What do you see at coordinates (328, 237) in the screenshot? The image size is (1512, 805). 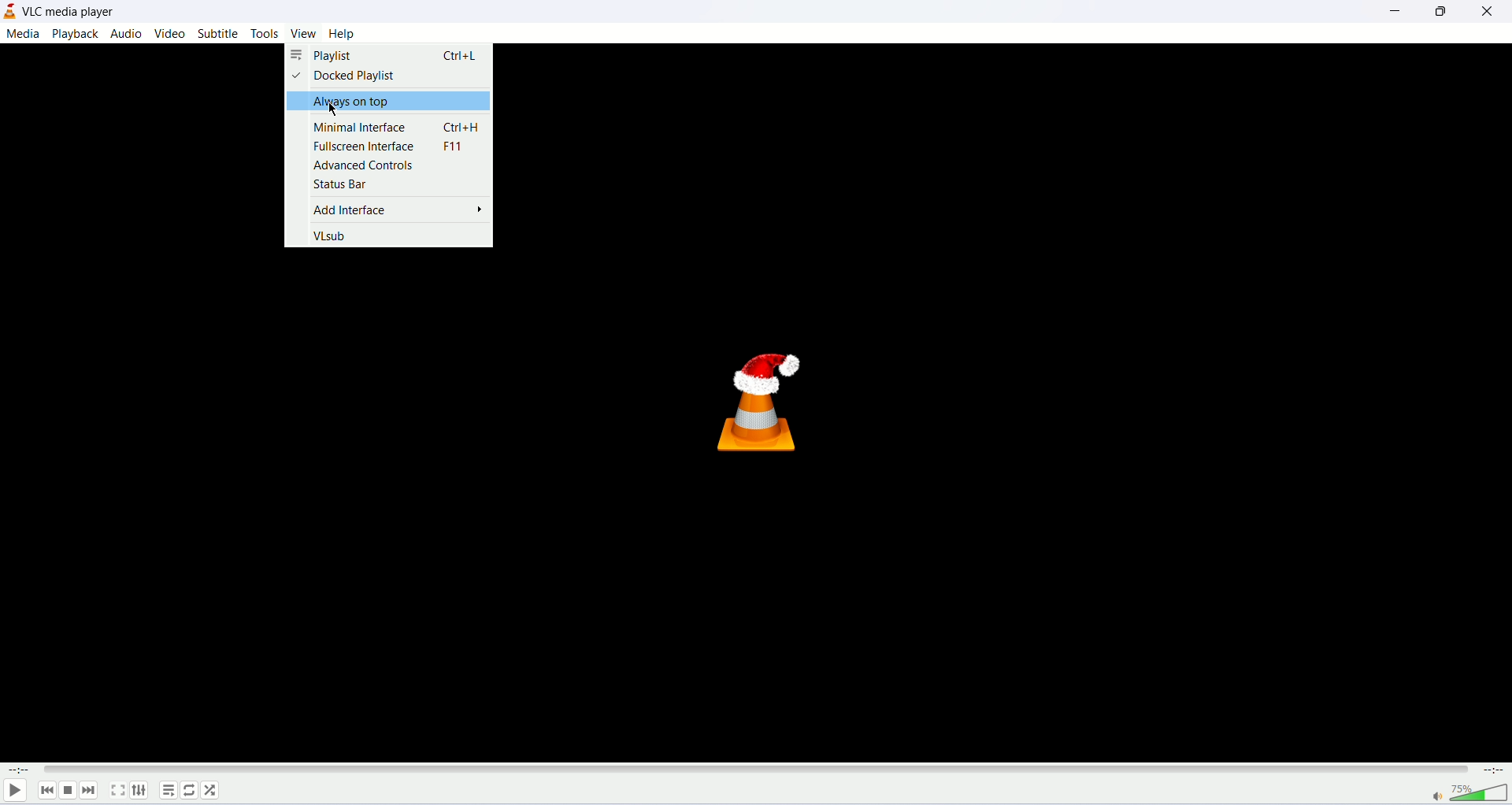 I see `VLsub` at bounding box center [328, 237].